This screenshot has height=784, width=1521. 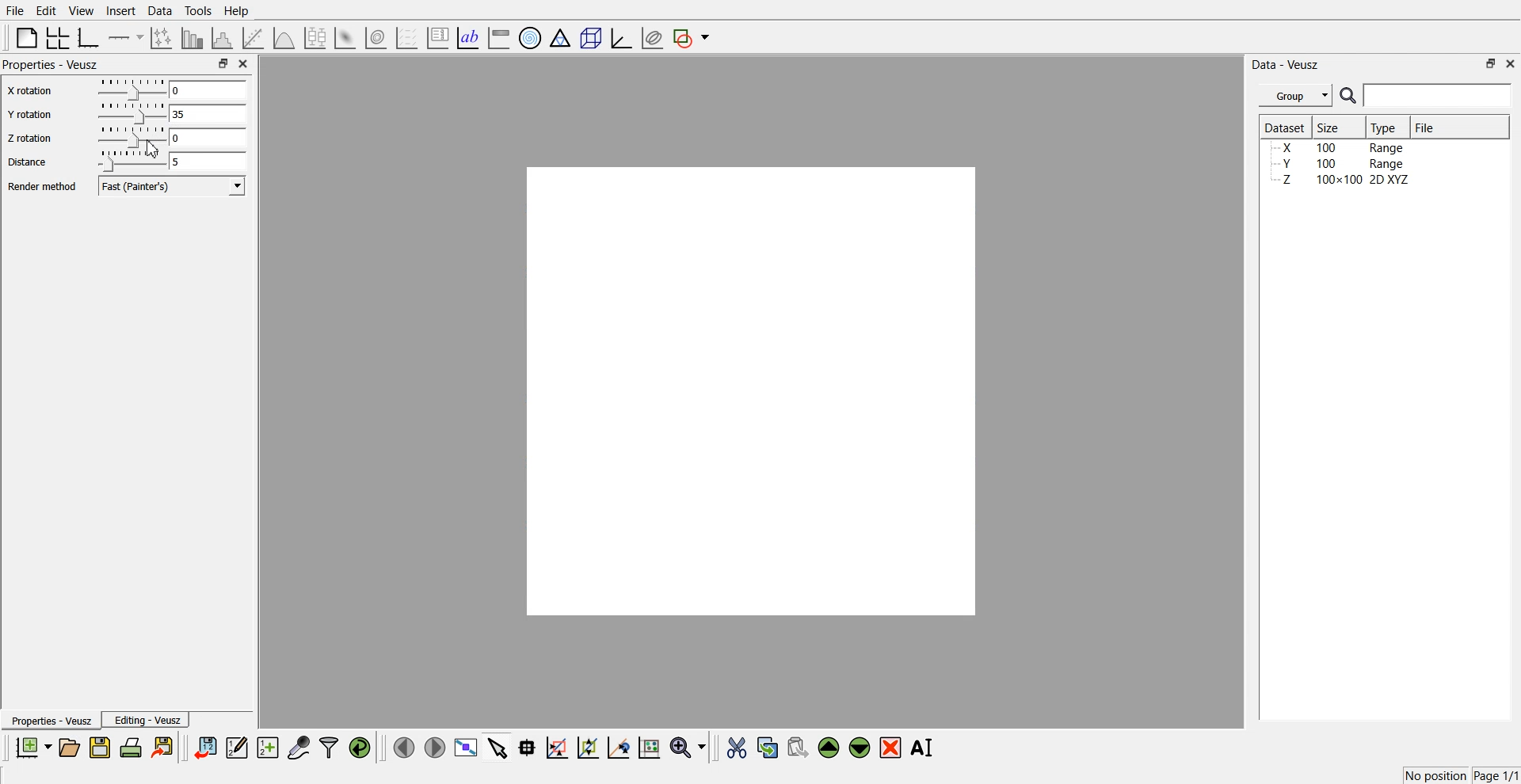 I want to click on Plot bar chart, so click(x=192, y=38).